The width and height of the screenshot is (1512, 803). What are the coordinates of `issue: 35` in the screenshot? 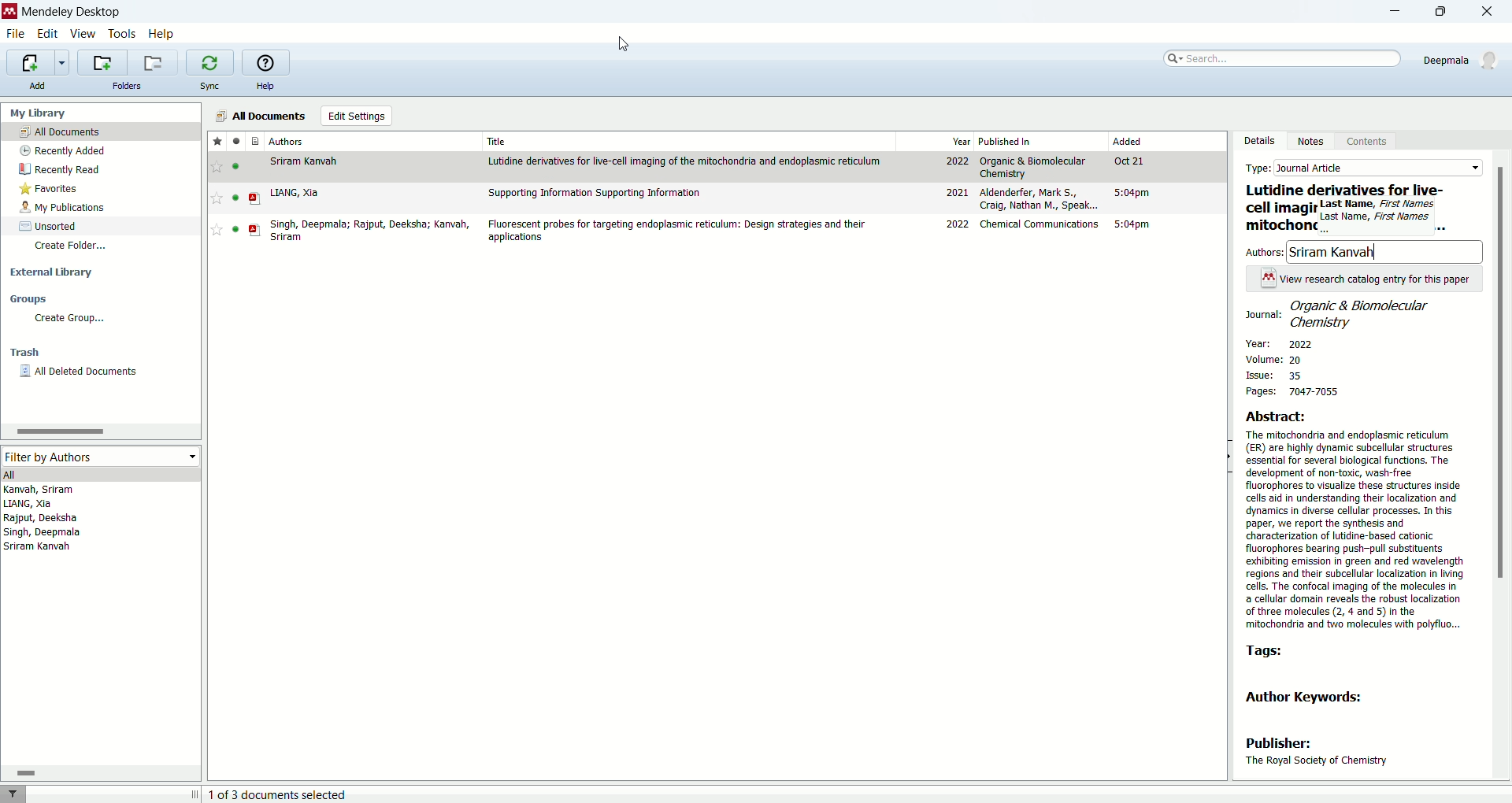 It's located at (1275, 376).